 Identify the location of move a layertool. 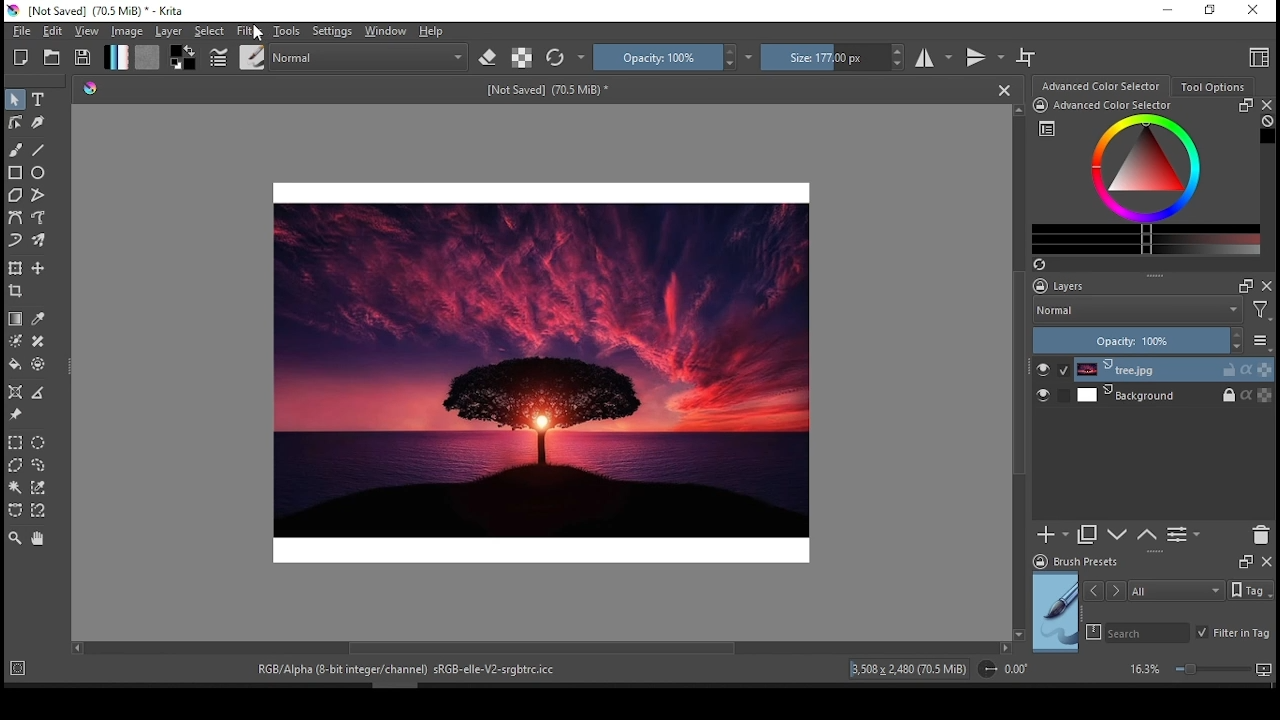
(40, 269).